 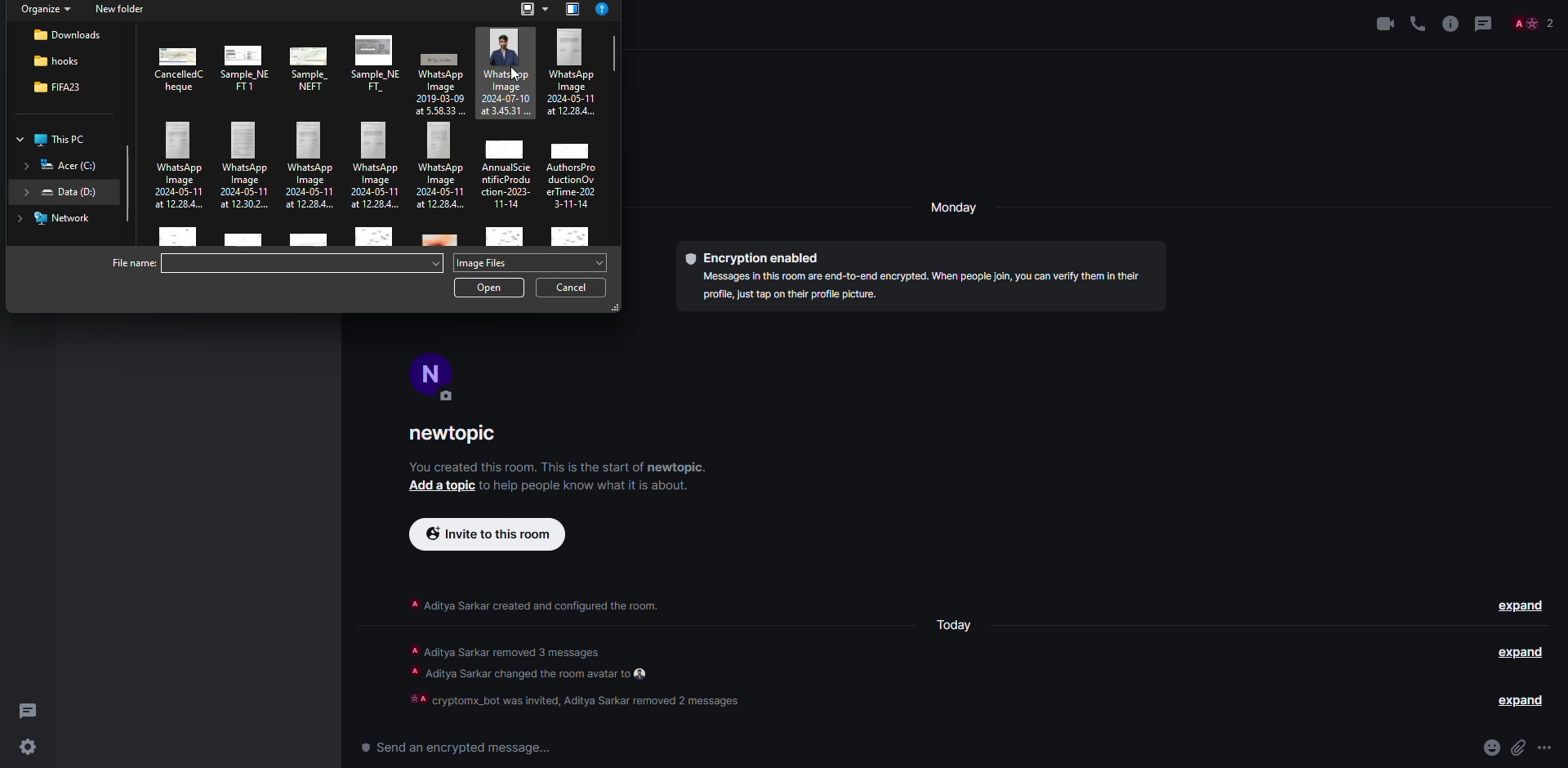 I want to click on cancel, so click(x=573, y=287).